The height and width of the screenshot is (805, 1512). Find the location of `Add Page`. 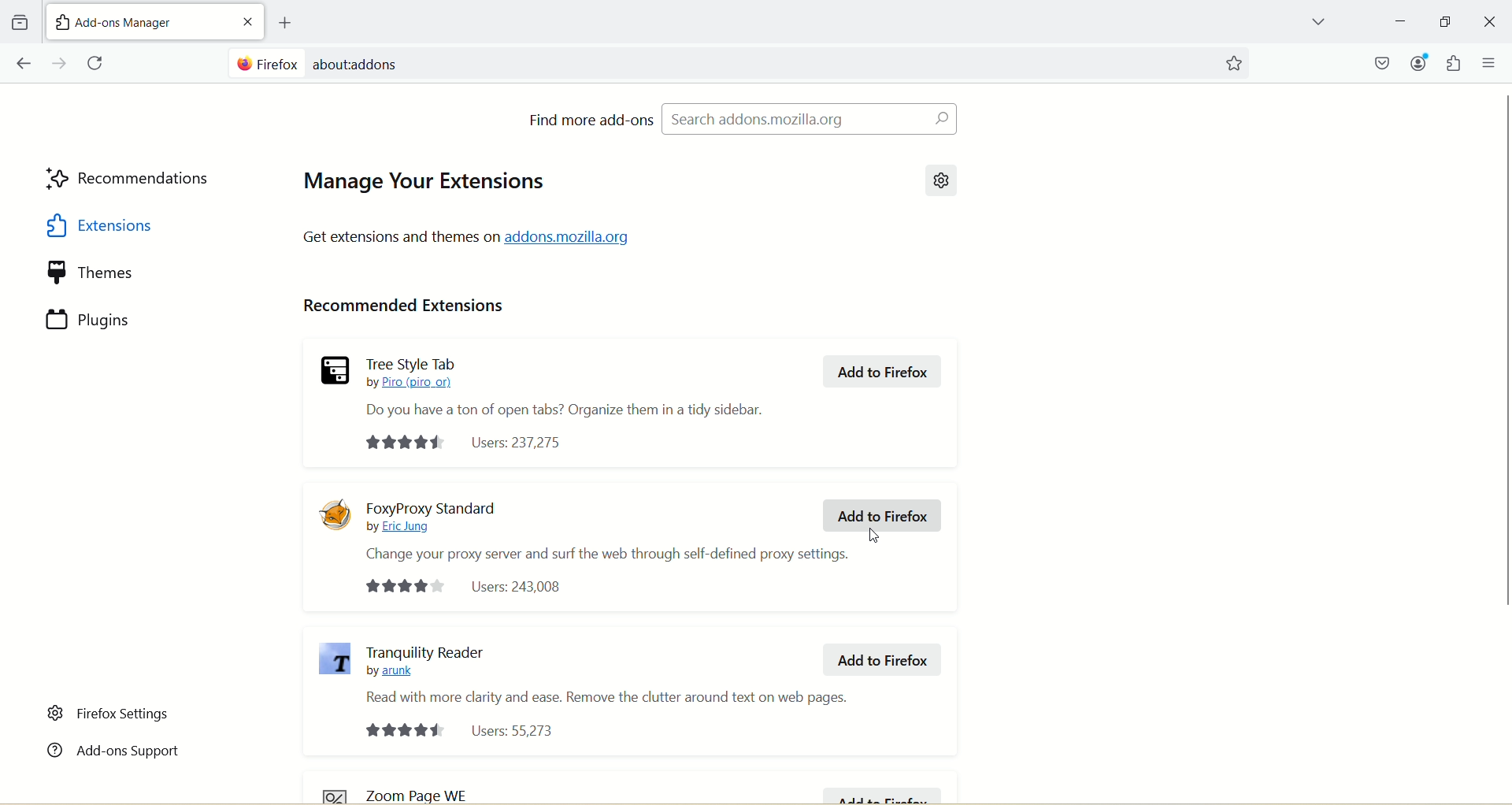

Add Page is located at coordinates (283, 23).